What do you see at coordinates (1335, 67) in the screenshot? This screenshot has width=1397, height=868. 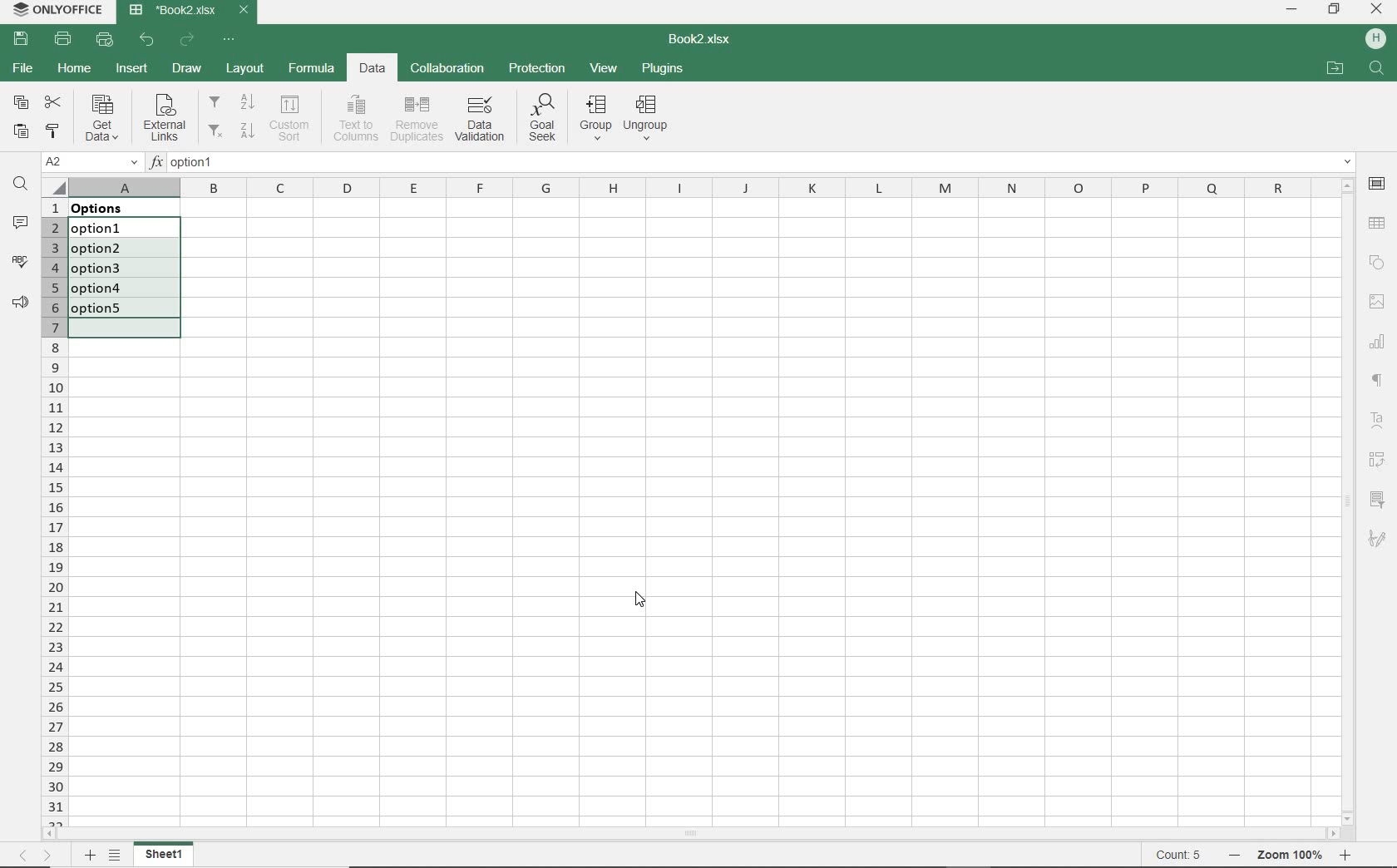 I see `OPEN FILE LOCATION` at bounding box center [1335, 67].